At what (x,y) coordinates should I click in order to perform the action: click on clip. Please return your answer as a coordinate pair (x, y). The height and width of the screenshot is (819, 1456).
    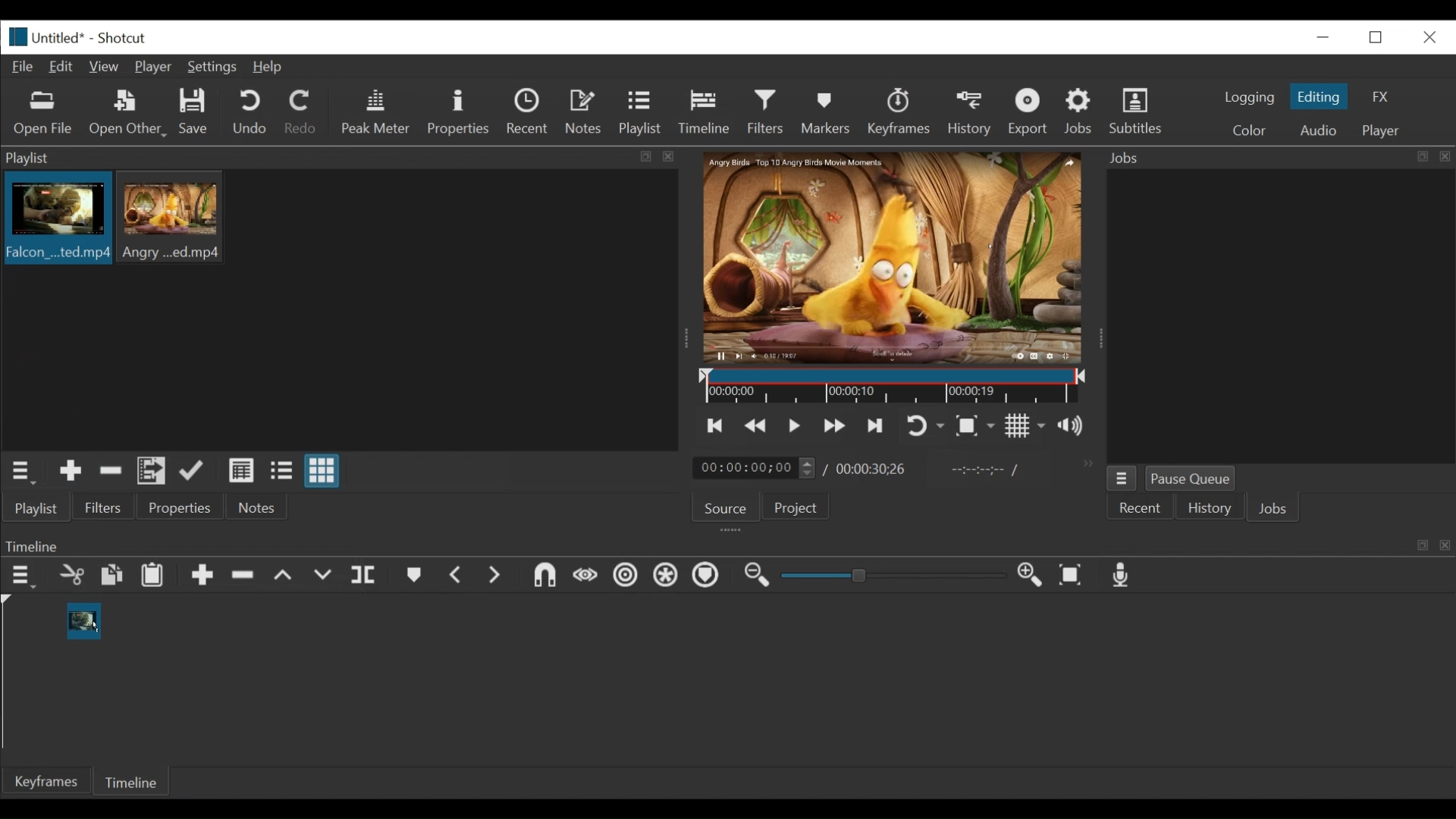
    Looking at the image, I should click on (174, 216).